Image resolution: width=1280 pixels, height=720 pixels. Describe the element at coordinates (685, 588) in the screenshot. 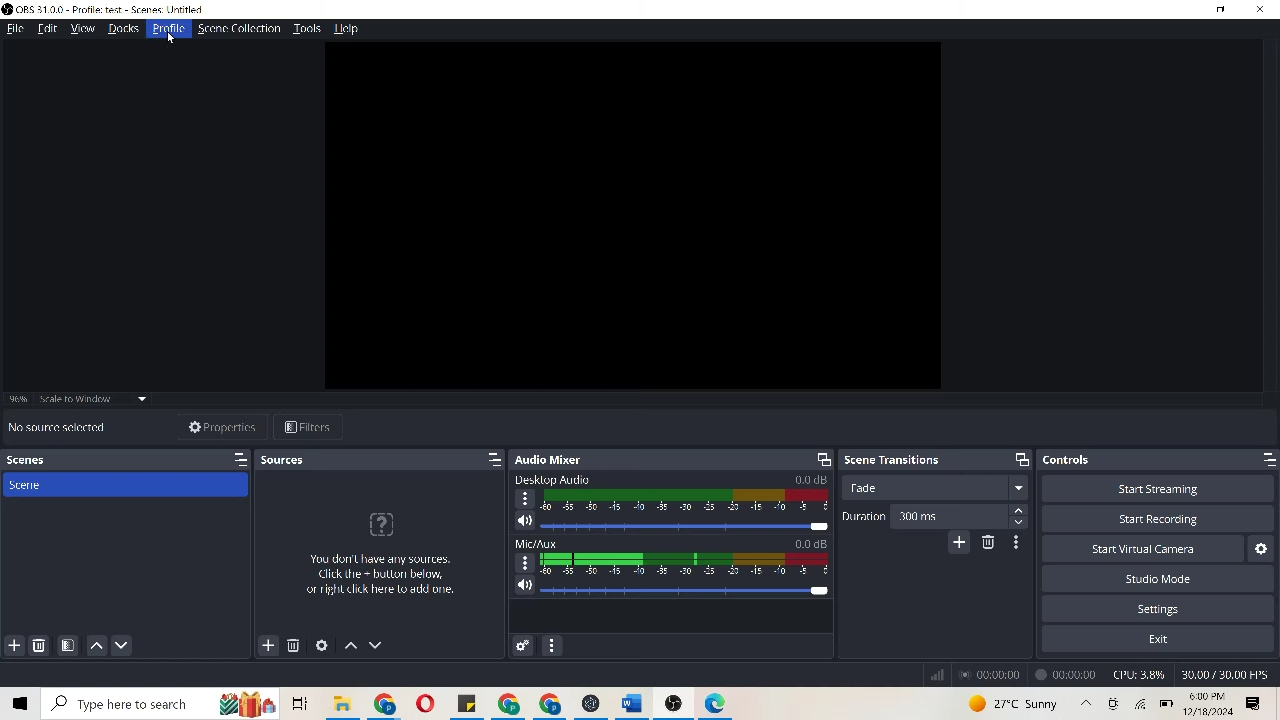

I see `slider` at that location.